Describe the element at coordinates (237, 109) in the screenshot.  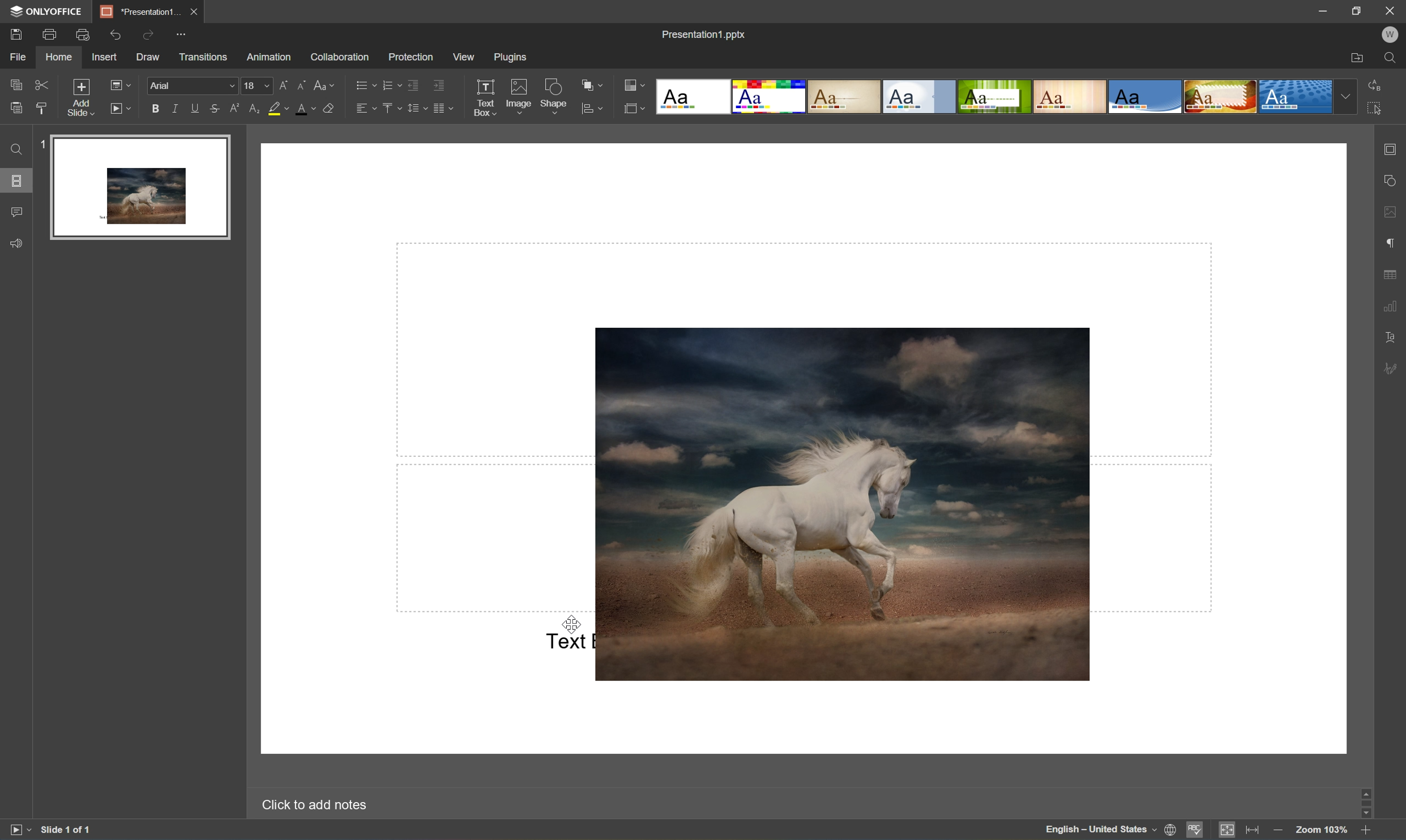
I see `Subscript` at that location.